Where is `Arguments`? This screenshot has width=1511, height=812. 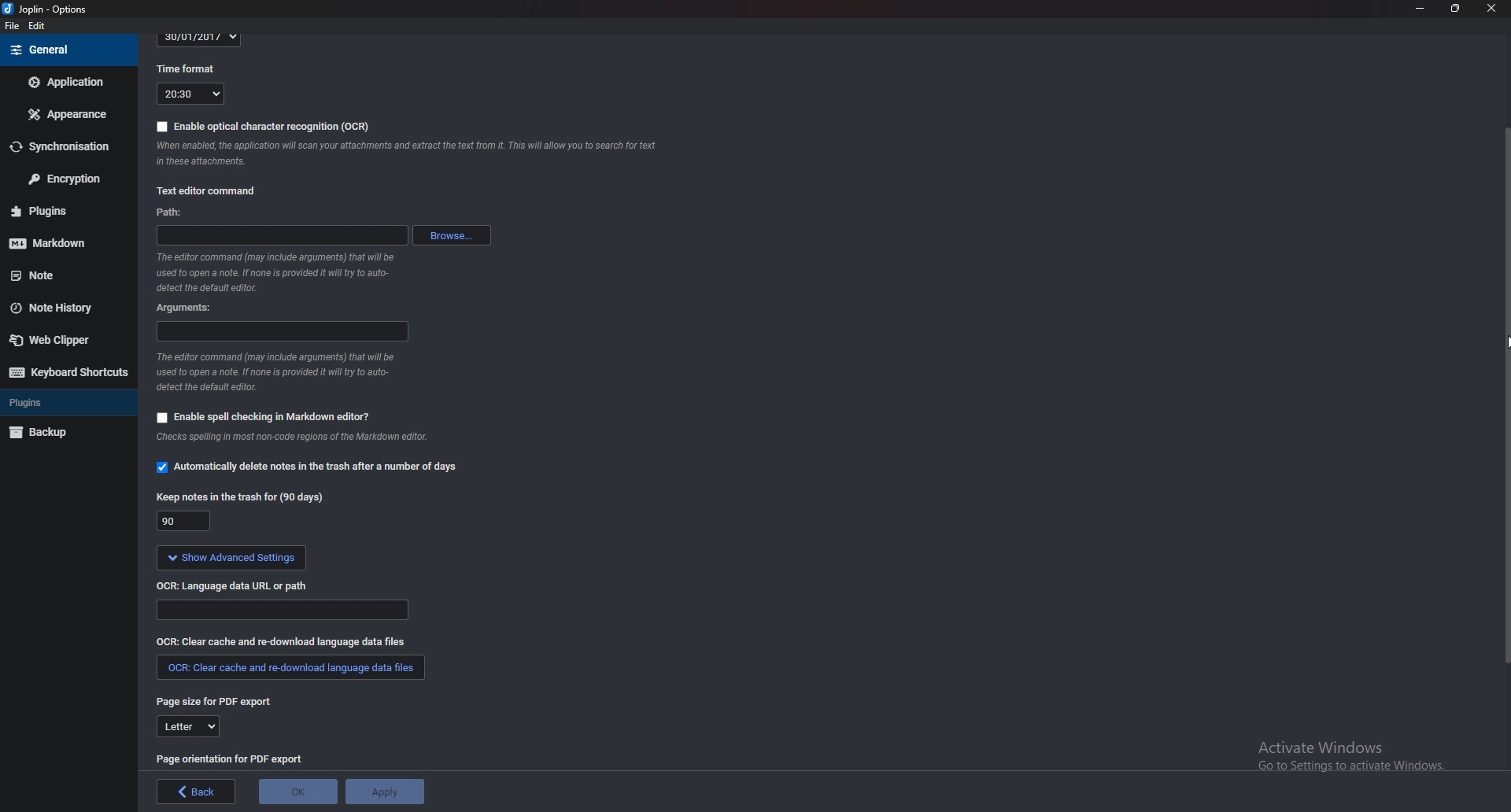
Arguments is located at coordinates (280, 330).